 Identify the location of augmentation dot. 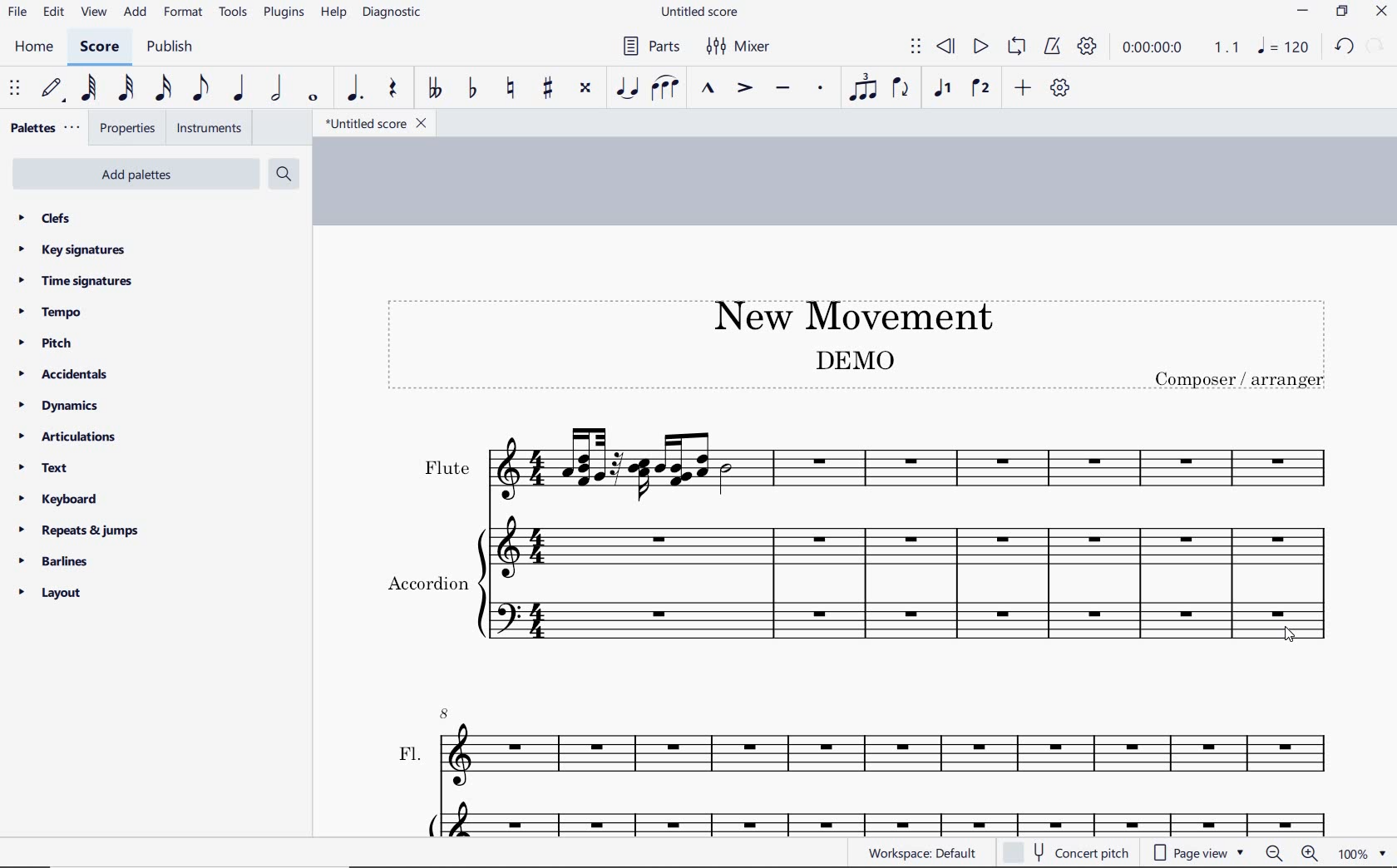
(353, 89).